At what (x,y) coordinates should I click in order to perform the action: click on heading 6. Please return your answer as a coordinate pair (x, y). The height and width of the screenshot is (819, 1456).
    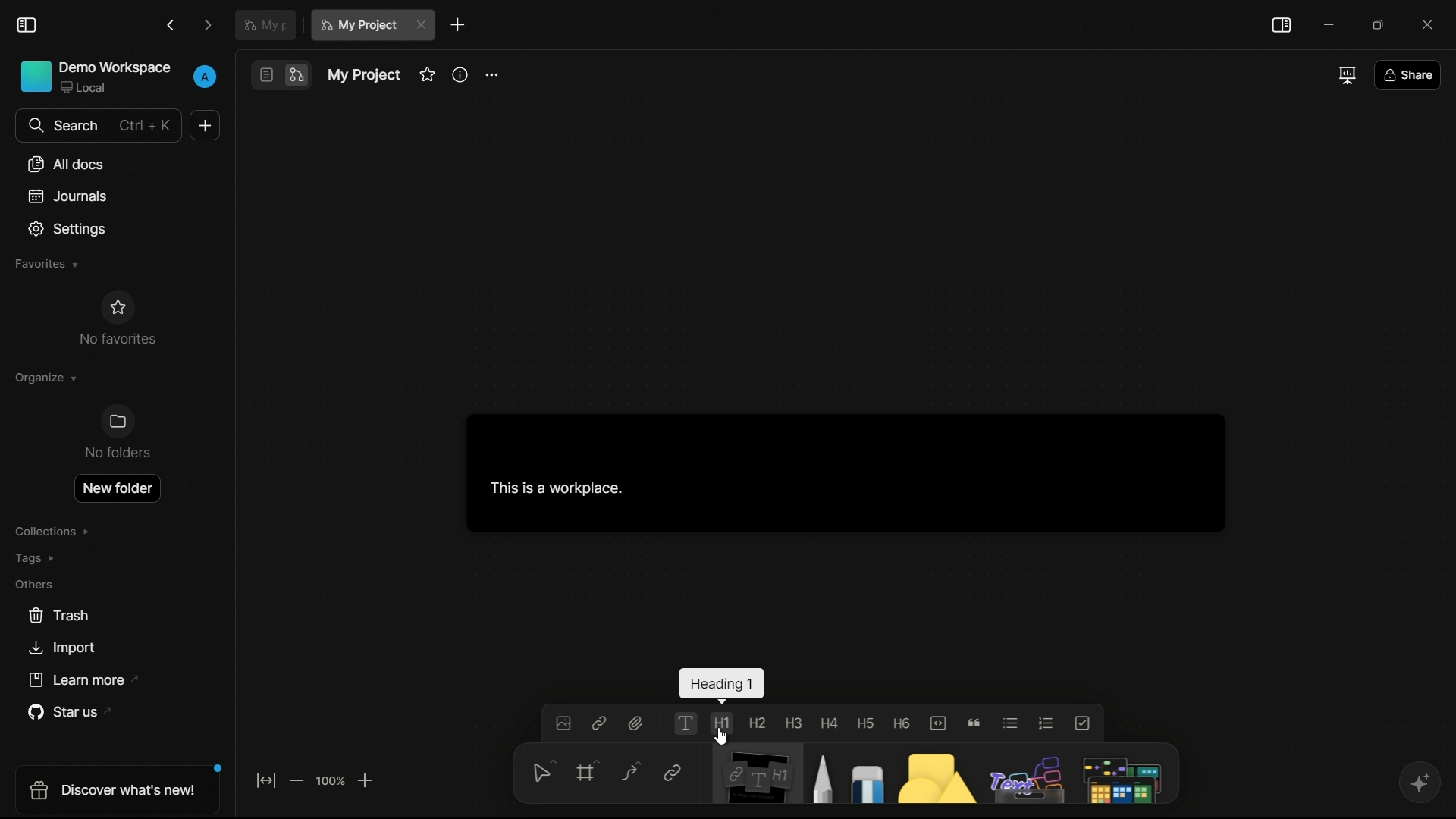
    Looking at the image, I should click on (901, 723).